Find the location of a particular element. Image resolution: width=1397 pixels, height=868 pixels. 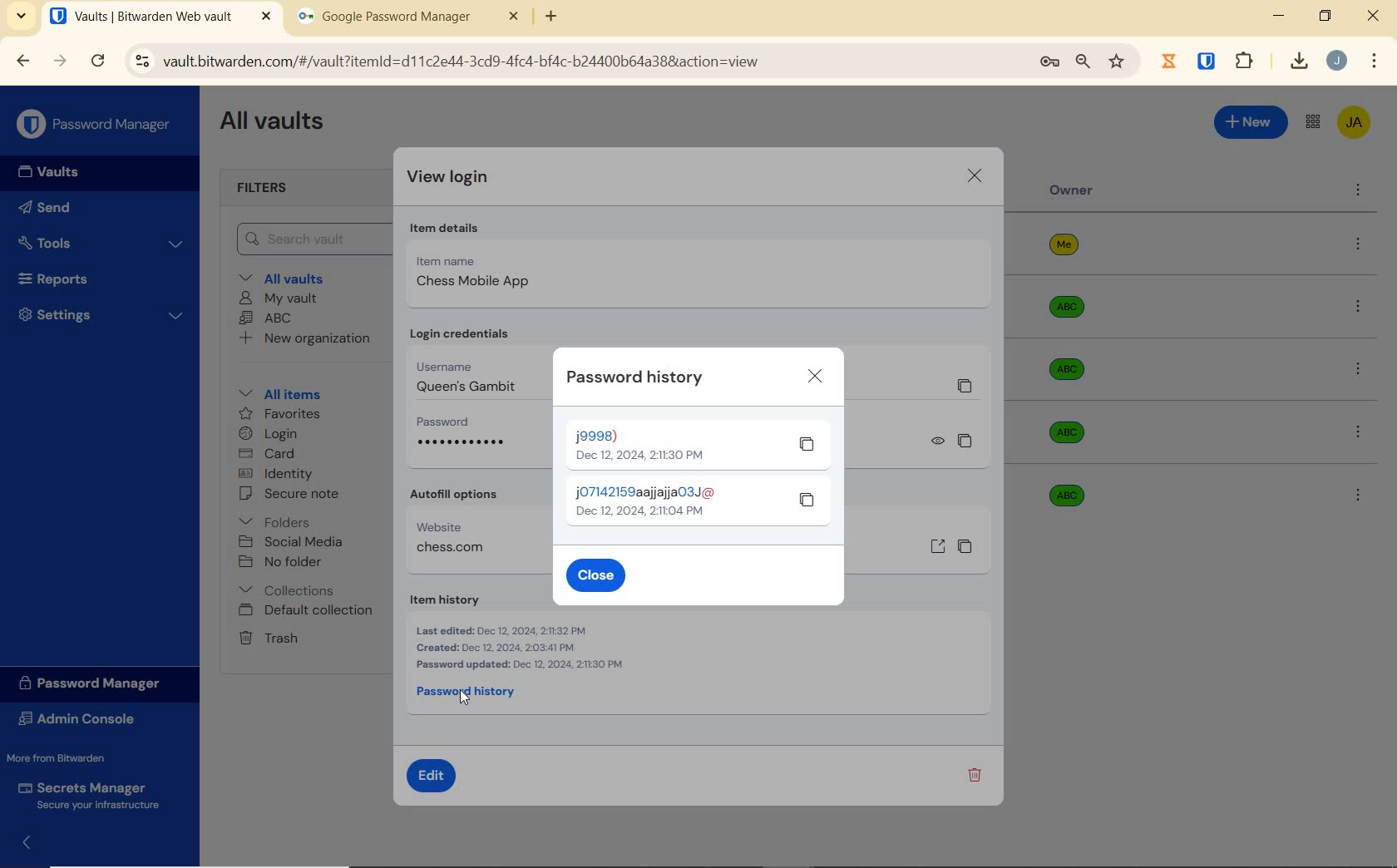

Item history is located at coordinates (462, 600).